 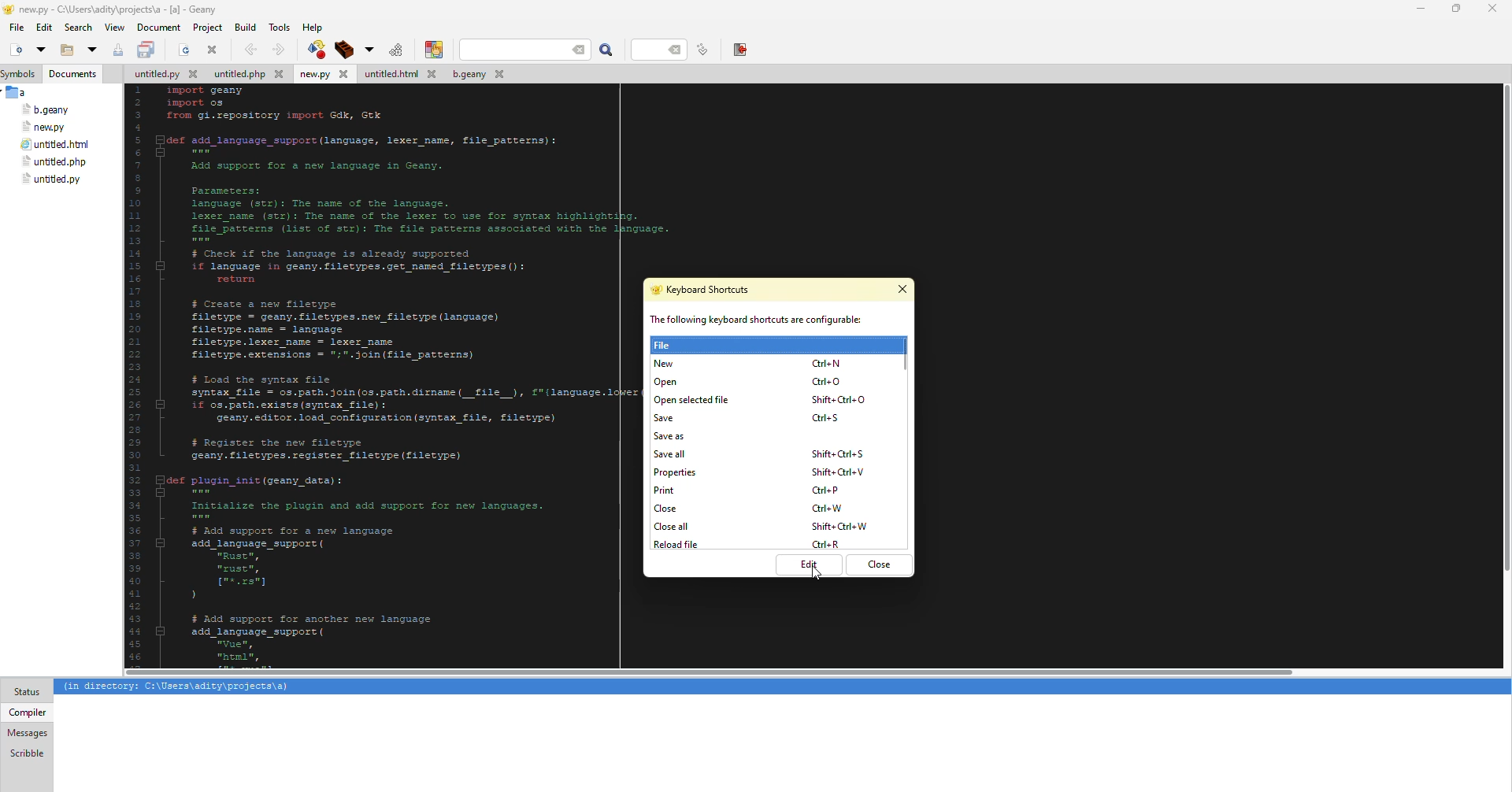 What do you see at coordinates (147, 50) in the screenshot?
I see `save` at bounding box center [147, 50].